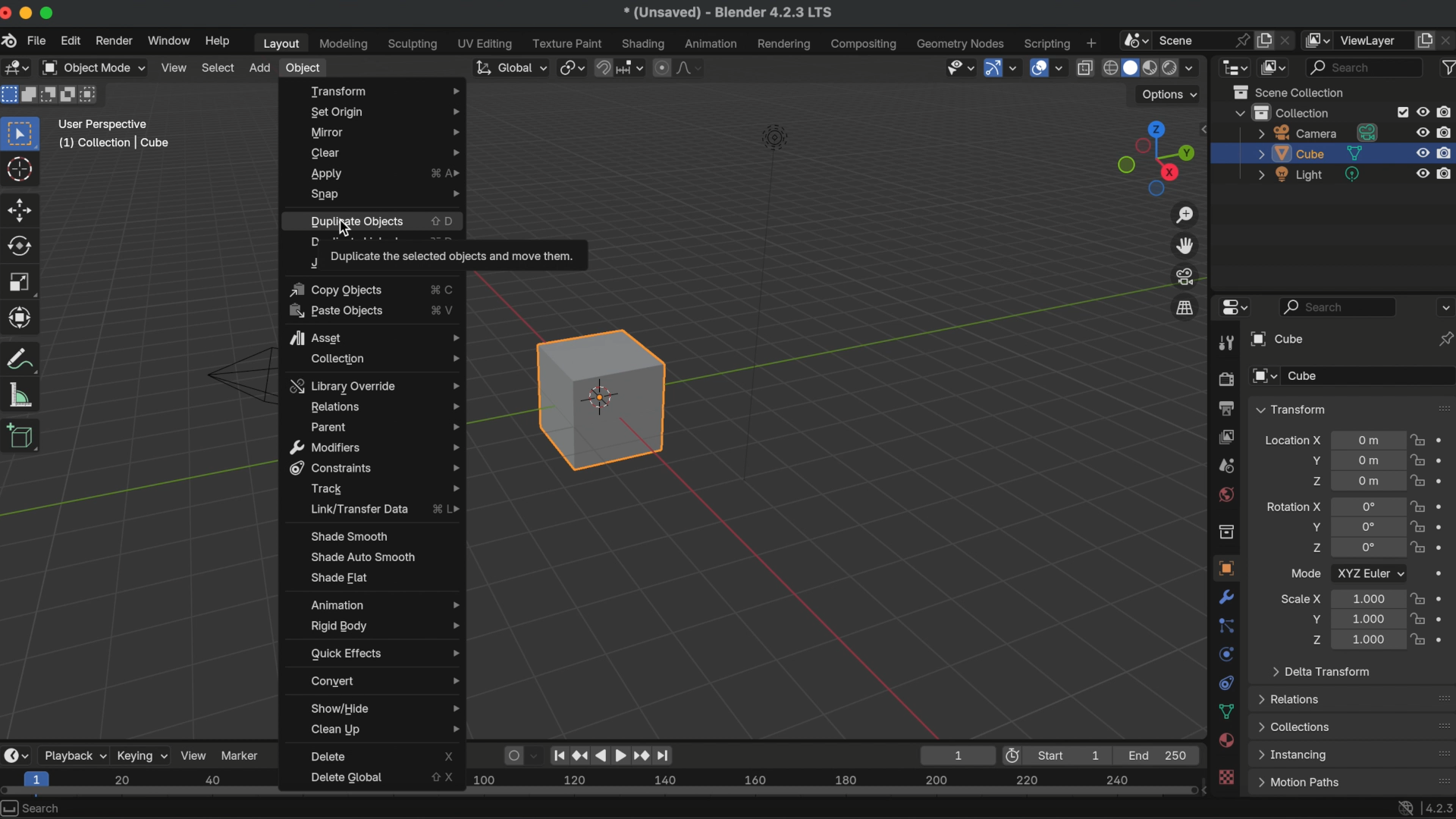 The width and height of the screenshot is (1456, 819). Describe the element at coordinates (1417, 619) in the screenshot. I see `lock scale` at that location.